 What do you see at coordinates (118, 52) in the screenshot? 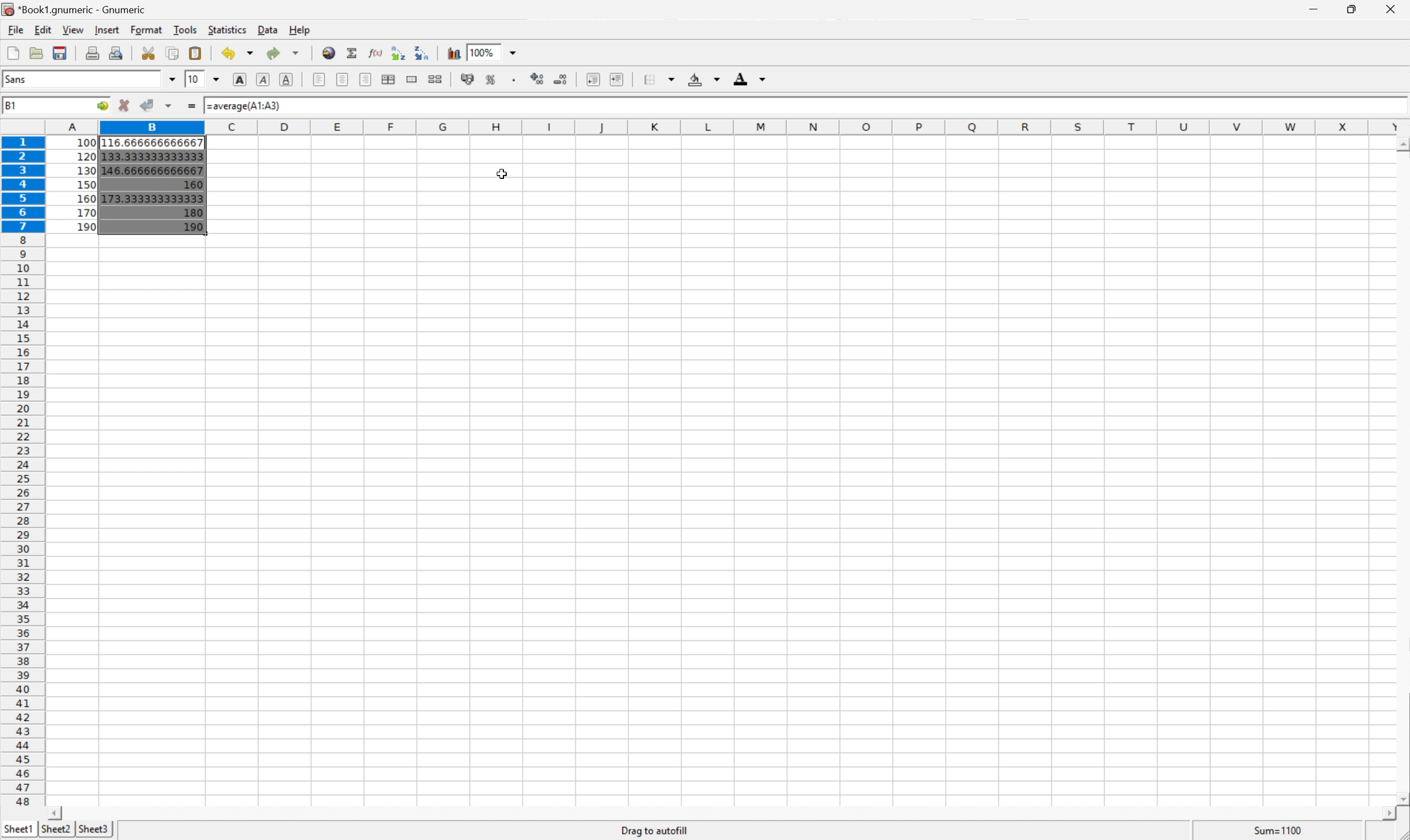
I see `Print Preview` at bounding box center [118, 52].